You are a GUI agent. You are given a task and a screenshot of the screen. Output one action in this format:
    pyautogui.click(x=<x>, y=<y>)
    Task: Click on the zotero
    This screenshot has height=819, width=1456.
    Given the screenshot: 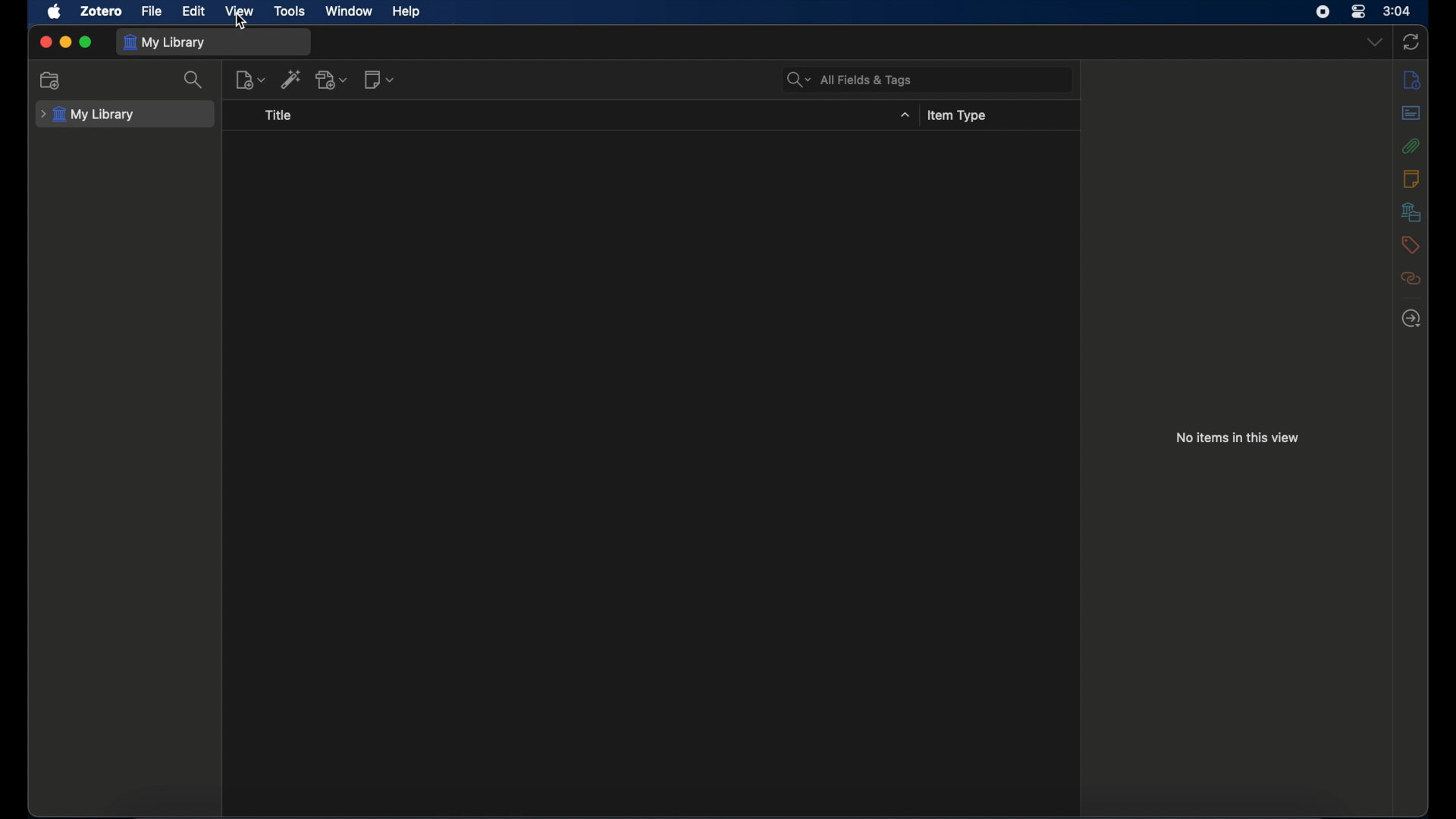 What is the action you would take?
    pyautogui.click(x=103, y=11)
    